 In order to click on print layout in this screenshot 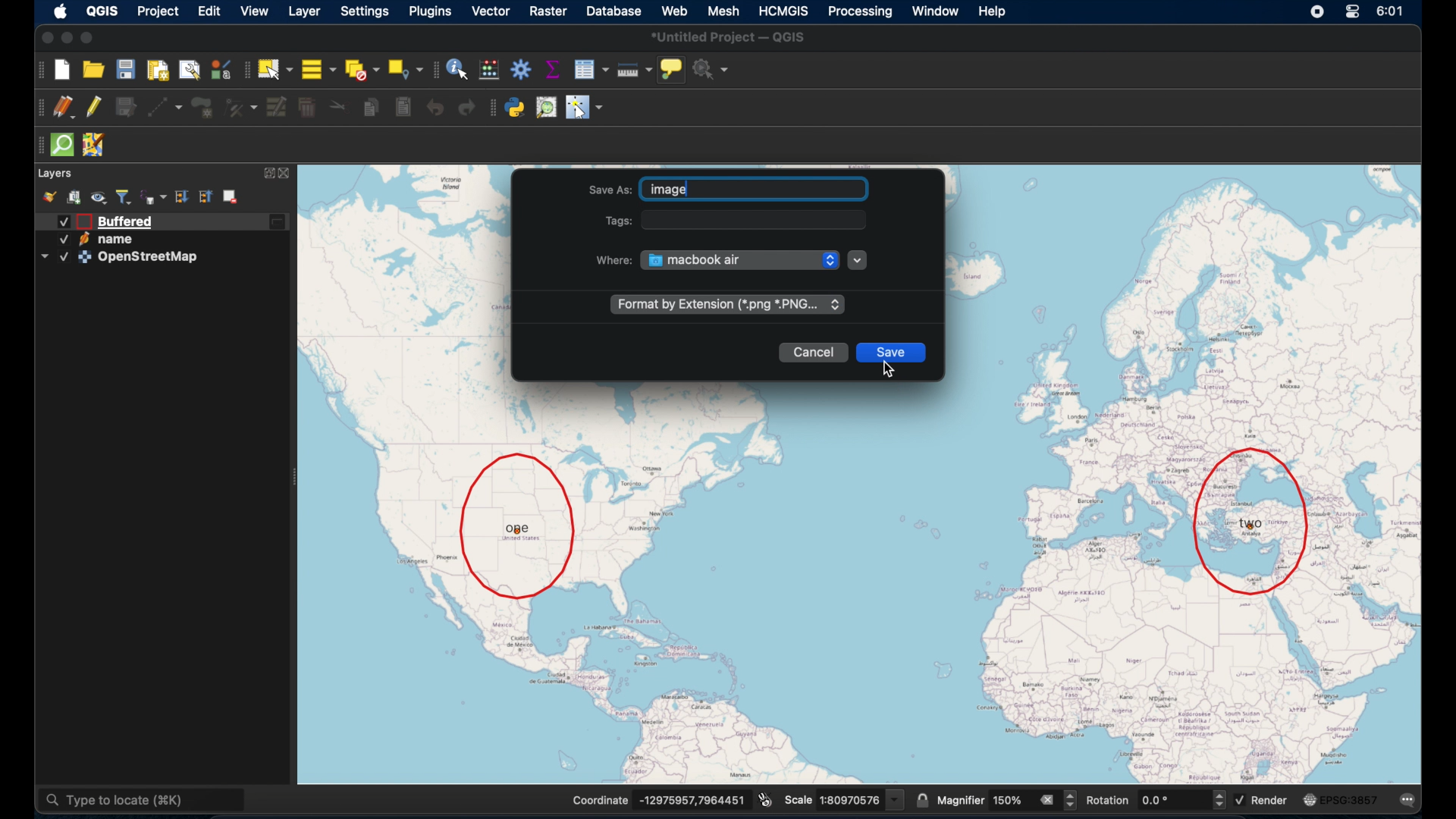, I will do `click(158, 70)`.